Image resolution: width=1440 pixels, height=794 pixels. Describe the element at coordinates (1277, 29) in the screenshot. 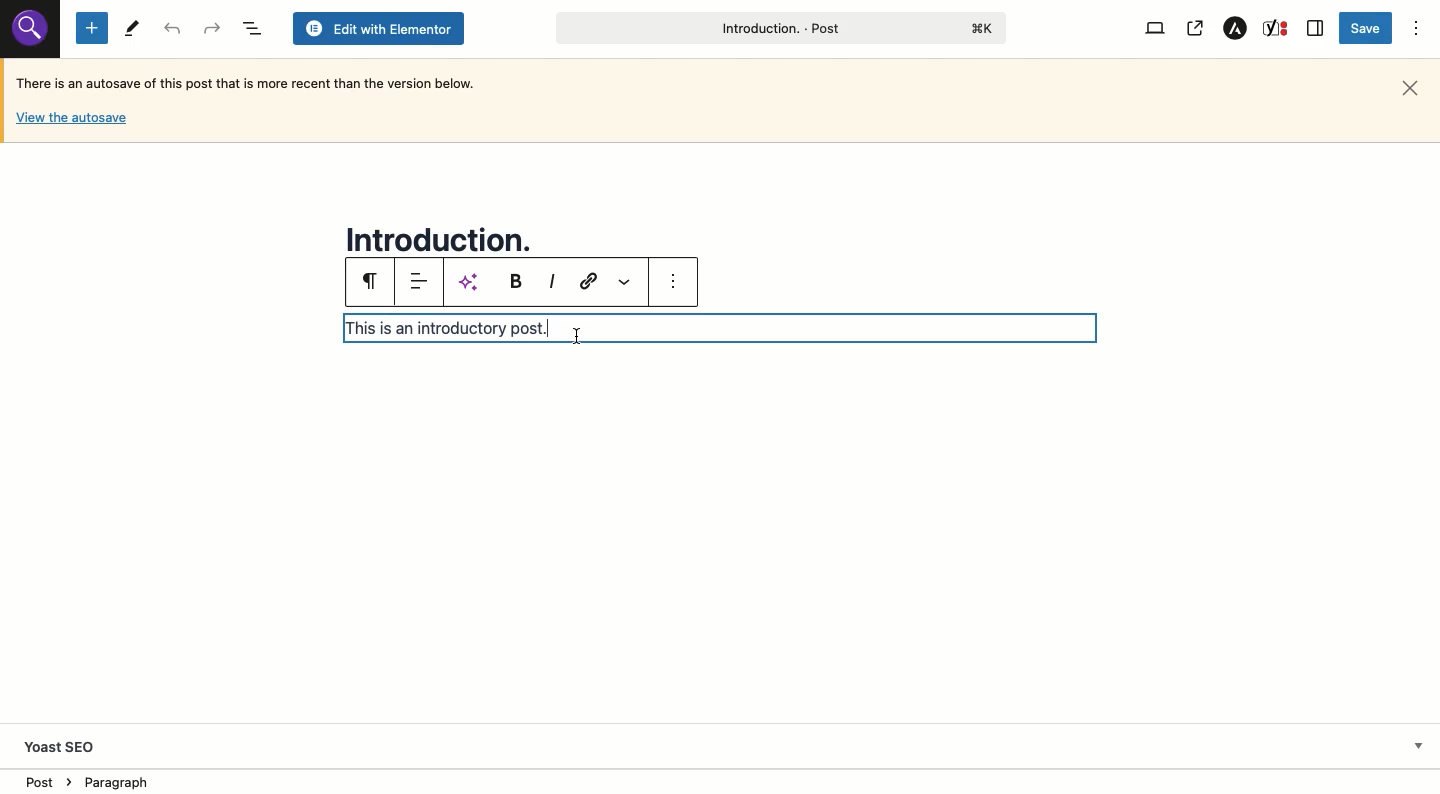

I see `Yoast` at that location.